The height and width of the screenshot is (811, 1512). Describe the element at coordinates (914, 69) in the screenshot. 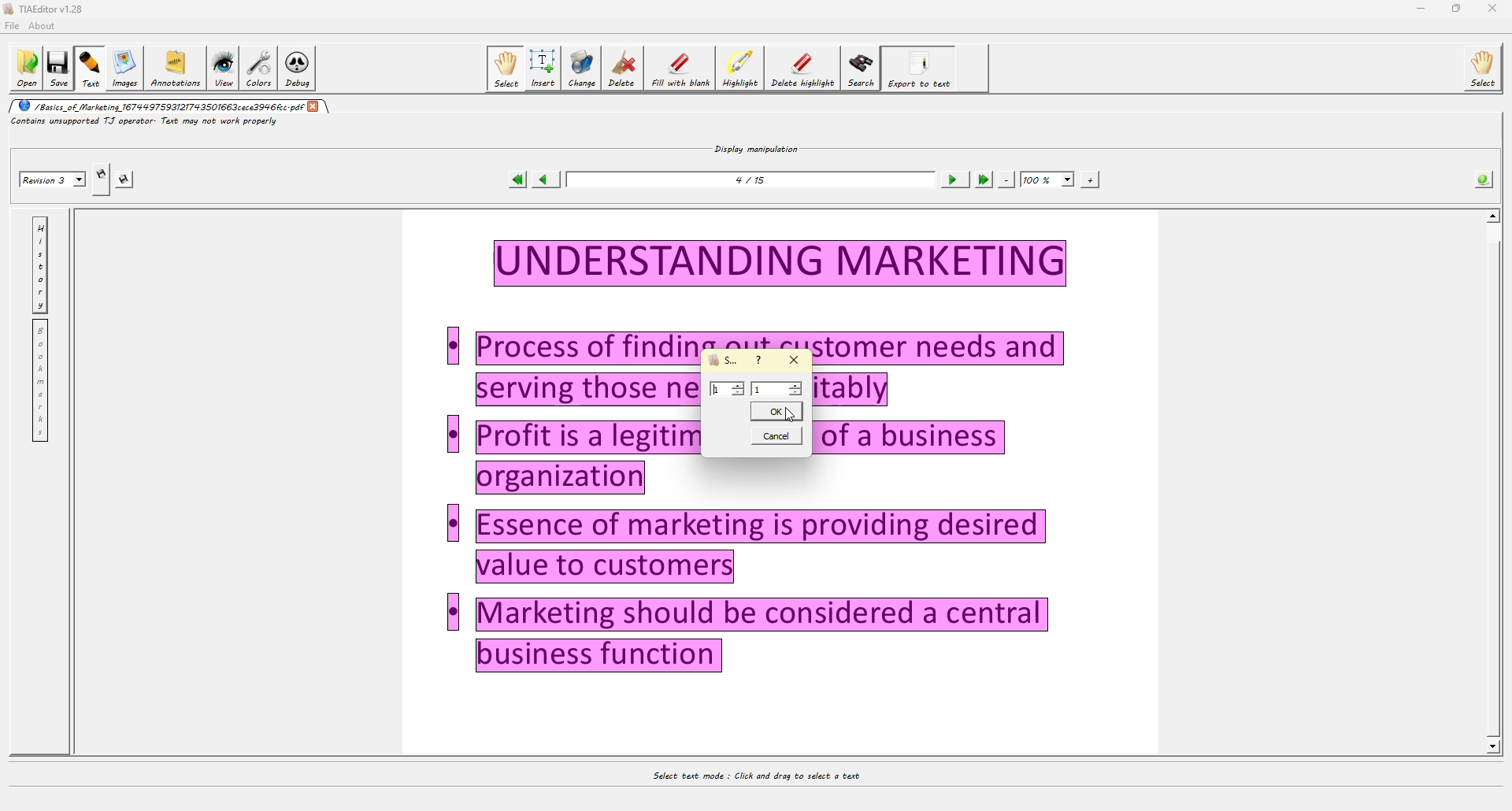

I see `export to text` at that location.